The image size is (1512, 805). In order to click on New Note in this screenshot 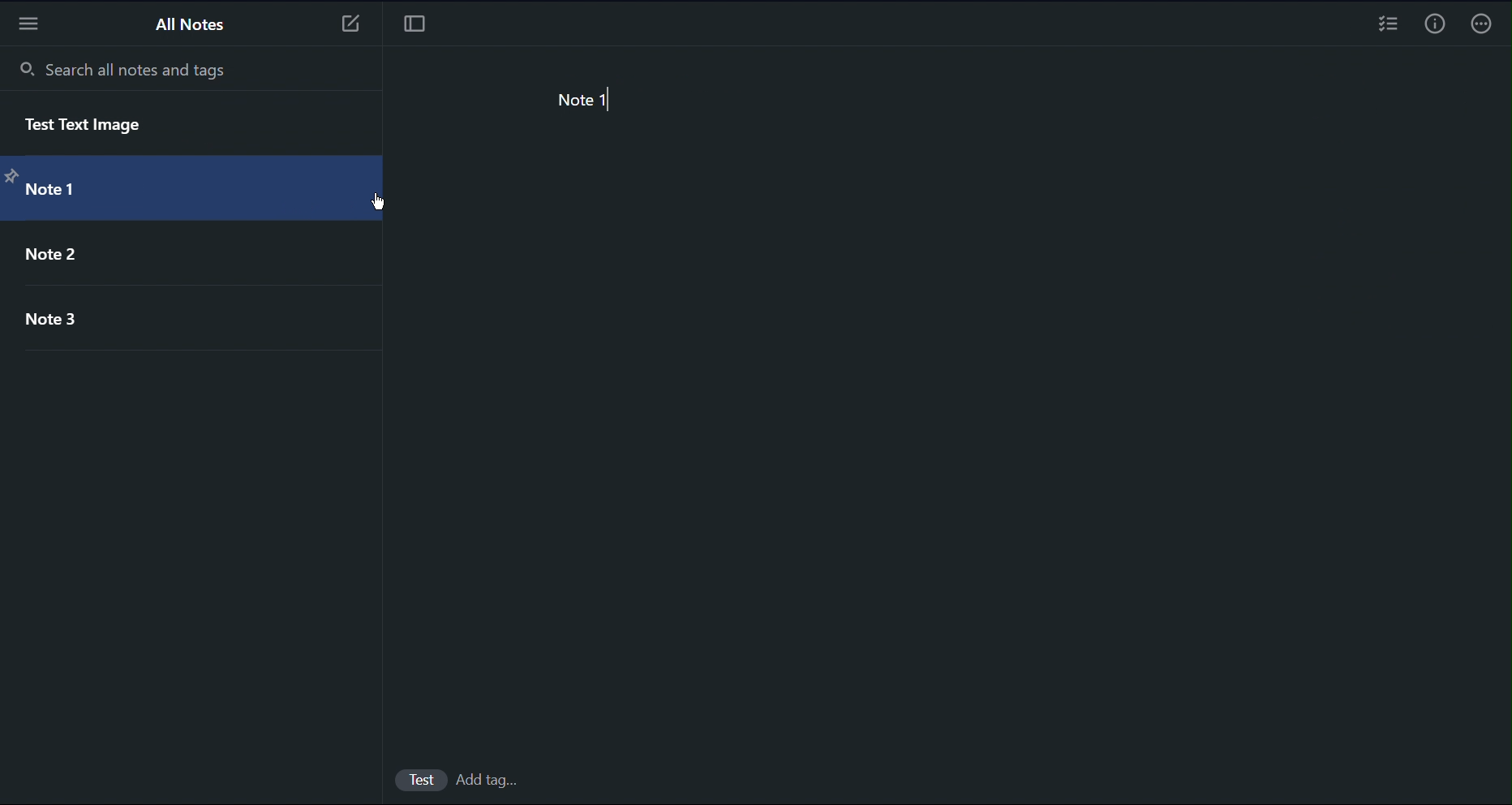, I will do `click(349, 28)`.